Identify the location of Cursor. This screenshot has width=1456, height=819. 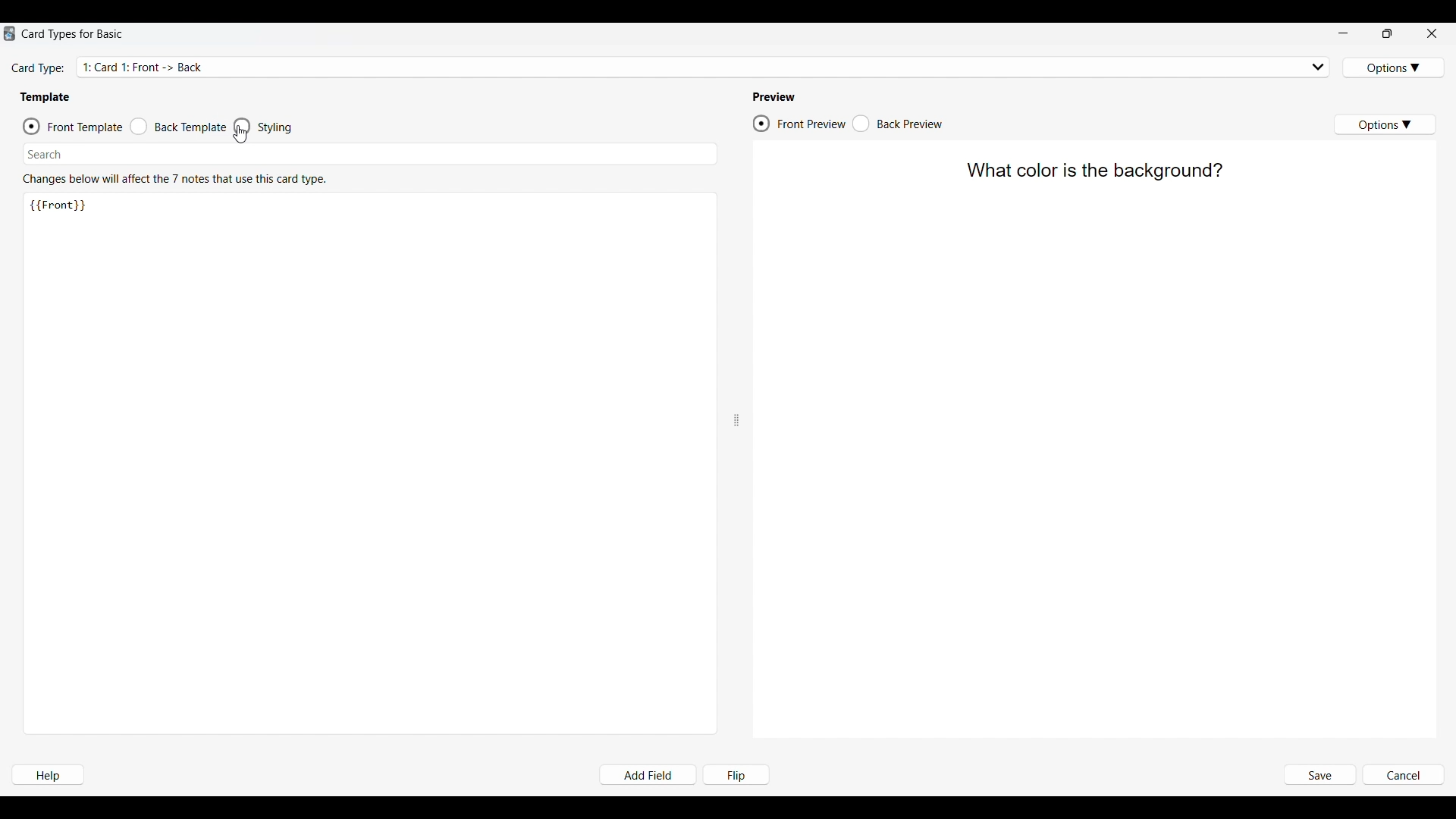
(240, 134).